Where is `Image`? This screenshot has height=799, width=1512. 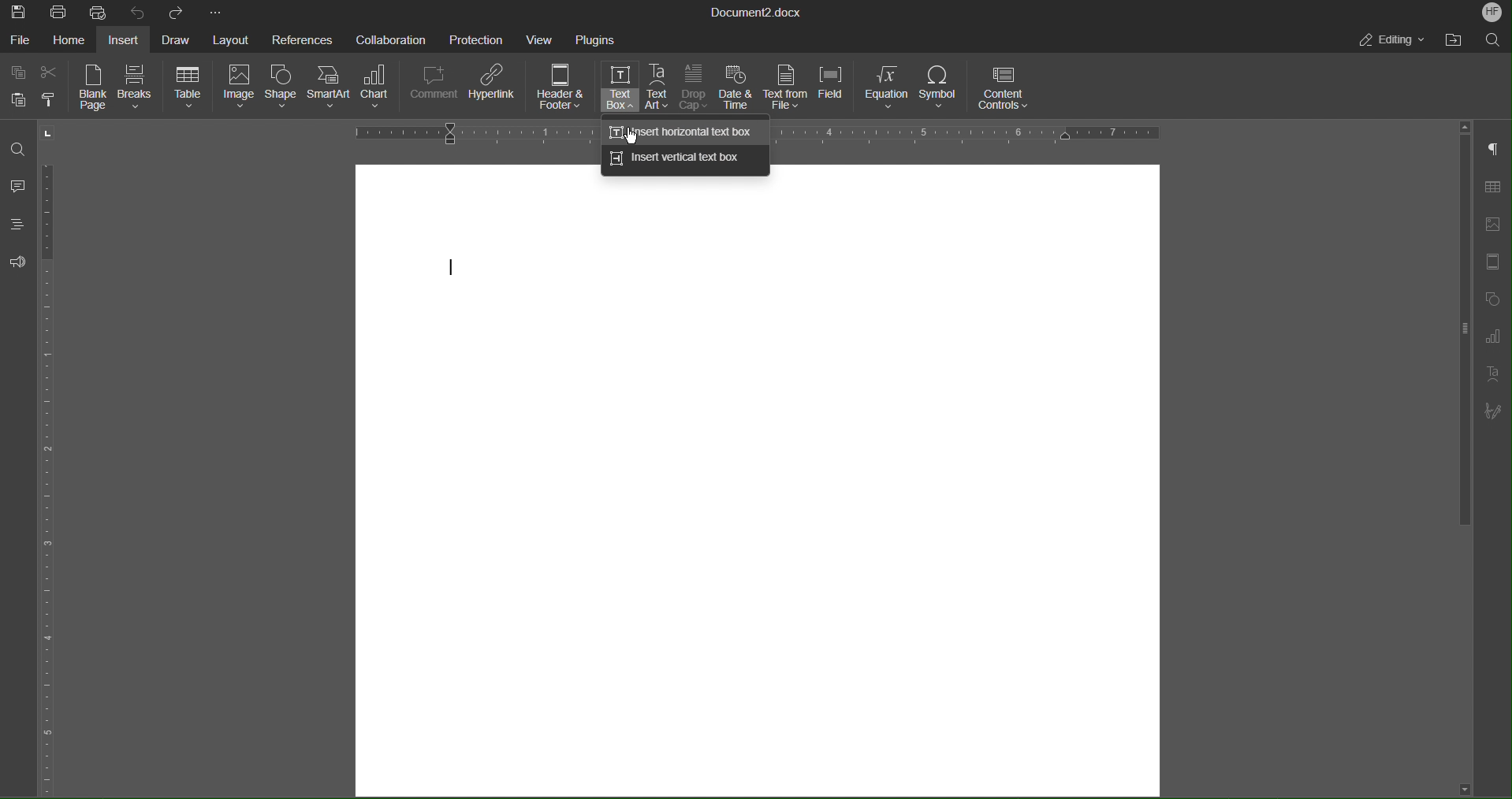 Image is located at coordinates (238, 89).